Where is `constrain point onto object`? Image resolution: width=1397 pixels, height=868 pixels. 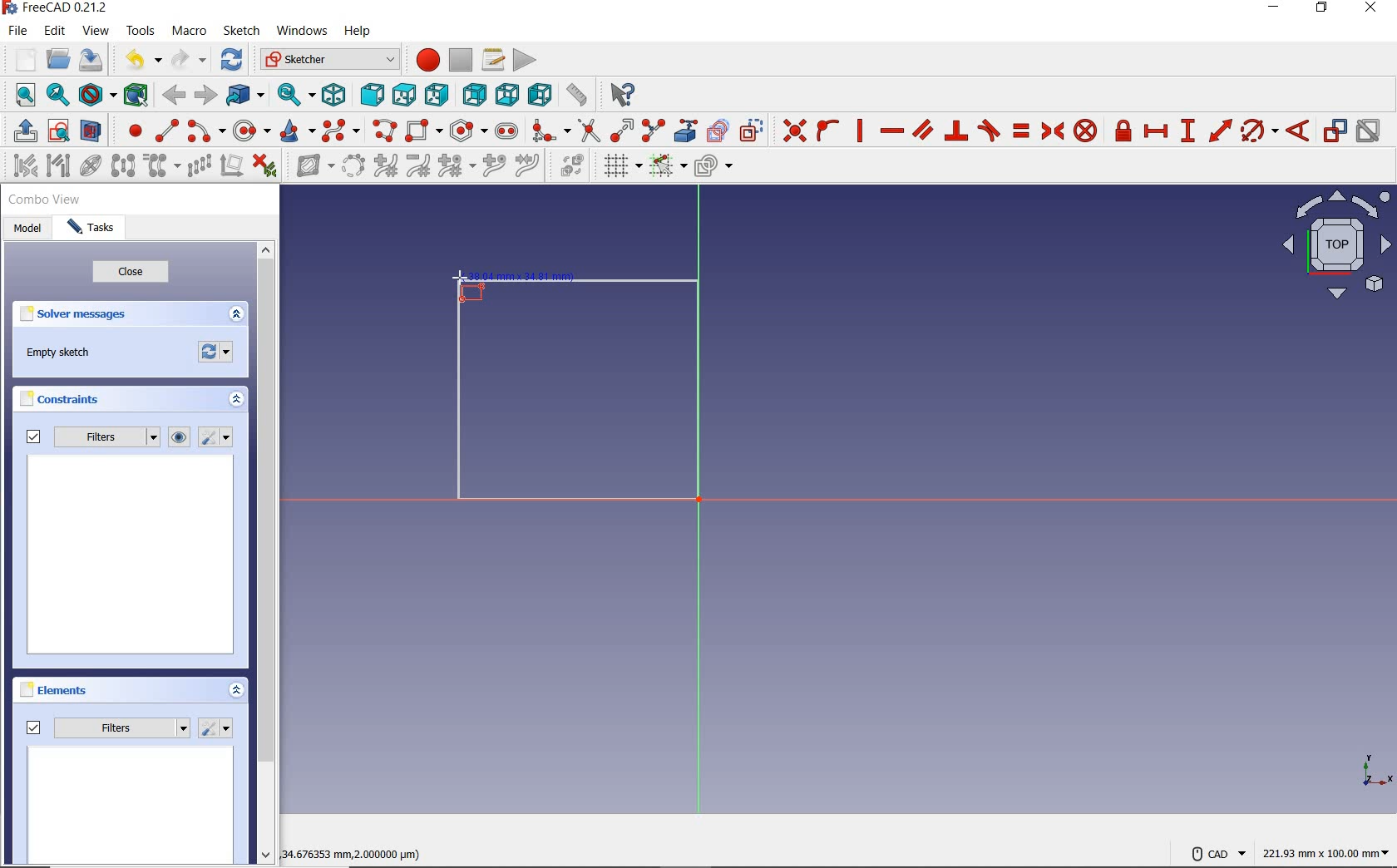
constrain point onto object is located at coordinates (827, 130).